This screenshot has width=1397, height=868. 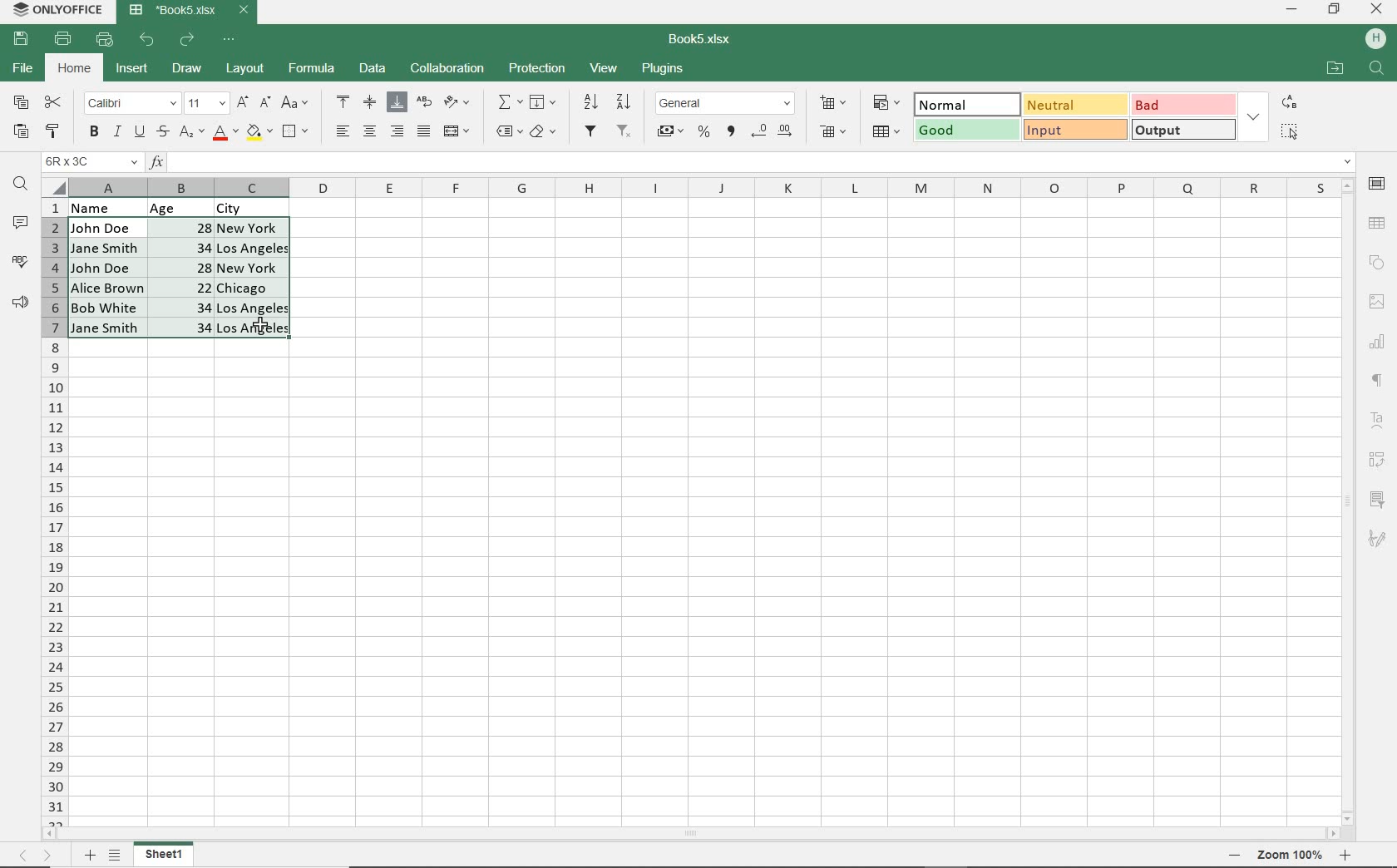 I want to click on COLUMNS, so click(x=54, y=511).